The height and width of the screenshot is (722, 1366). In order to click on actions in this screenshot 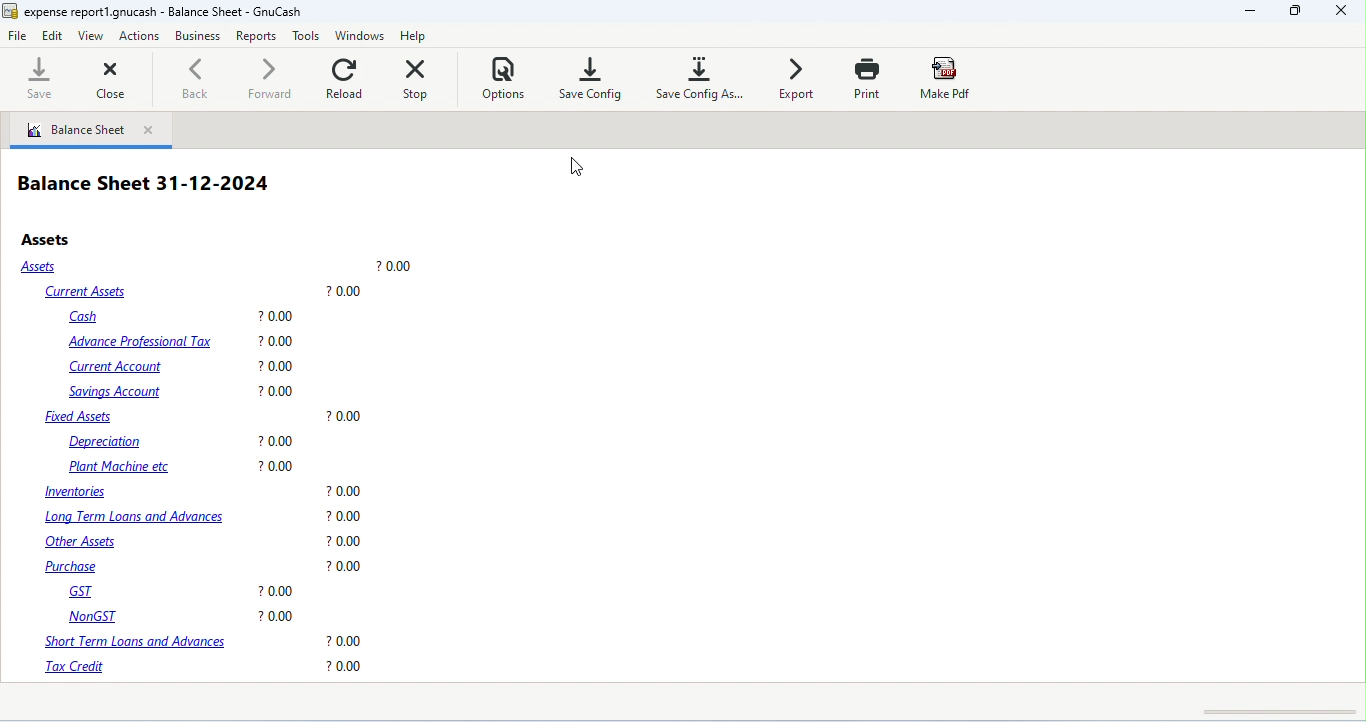, I will do `click(141, 36)`.